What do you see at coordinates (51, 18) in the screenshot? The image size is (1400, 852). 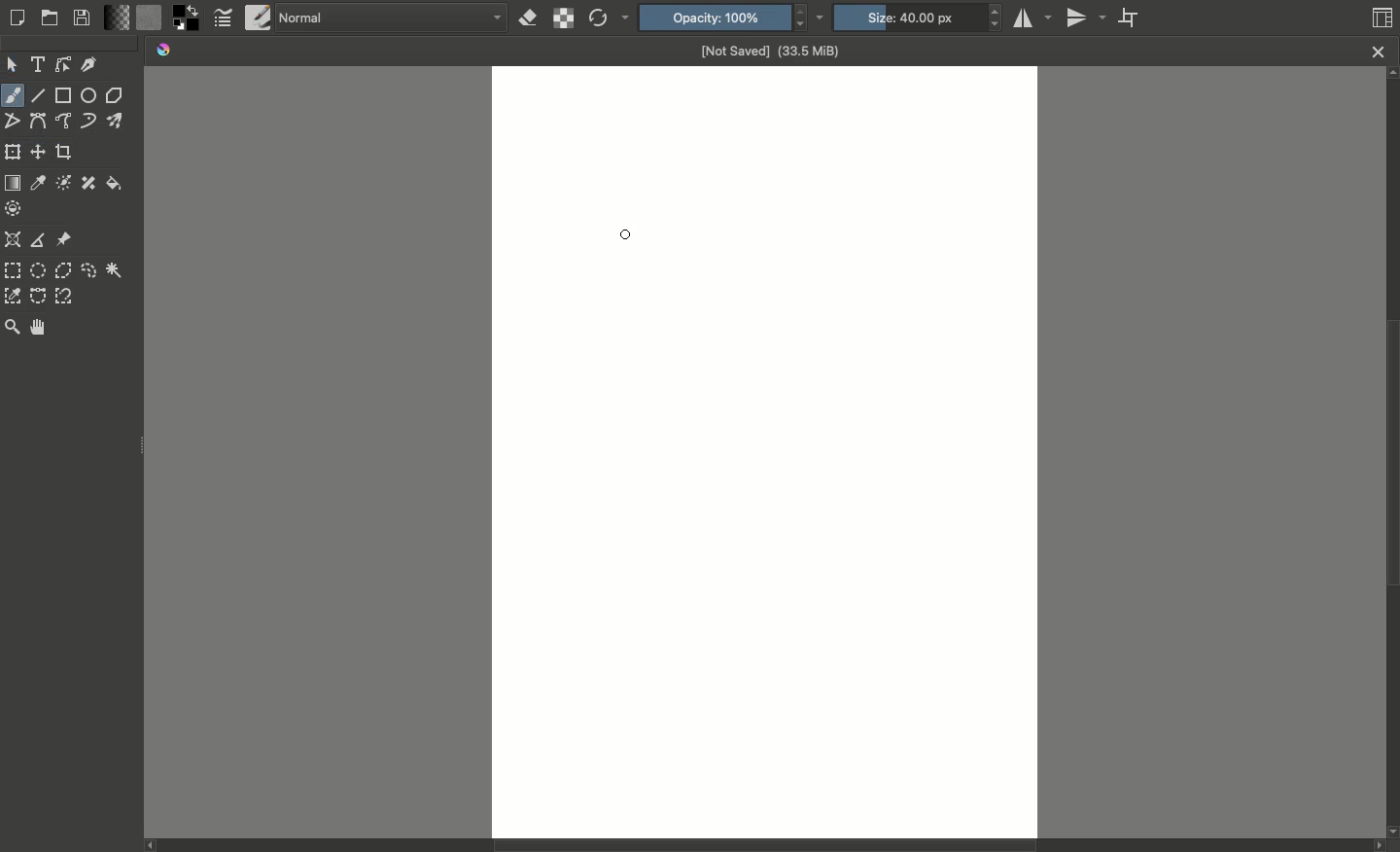 I see `Open` at bounding box center [51, 18].